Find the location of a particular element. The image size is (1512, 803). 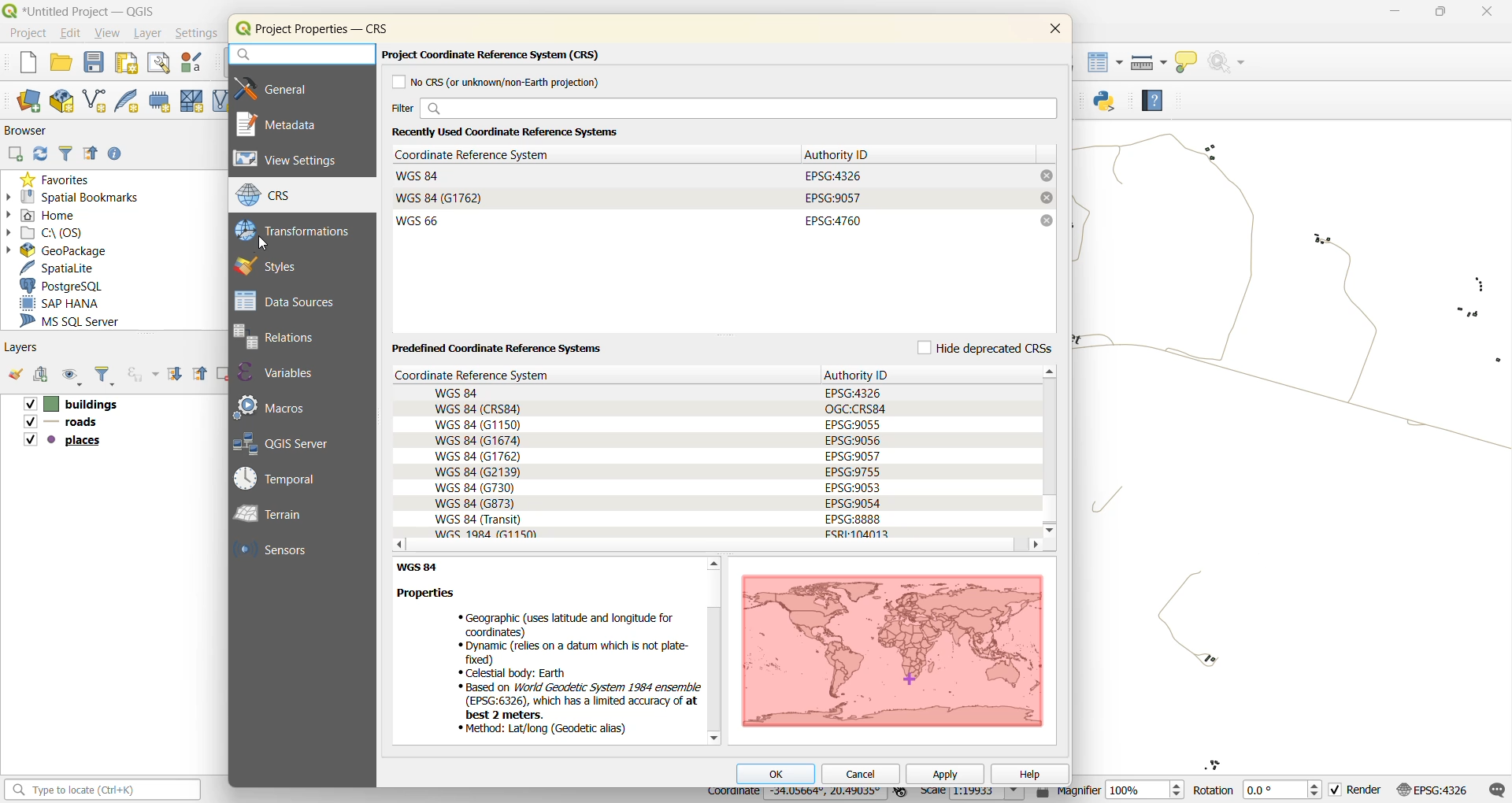

remove is located at coordinates (1046, 198).